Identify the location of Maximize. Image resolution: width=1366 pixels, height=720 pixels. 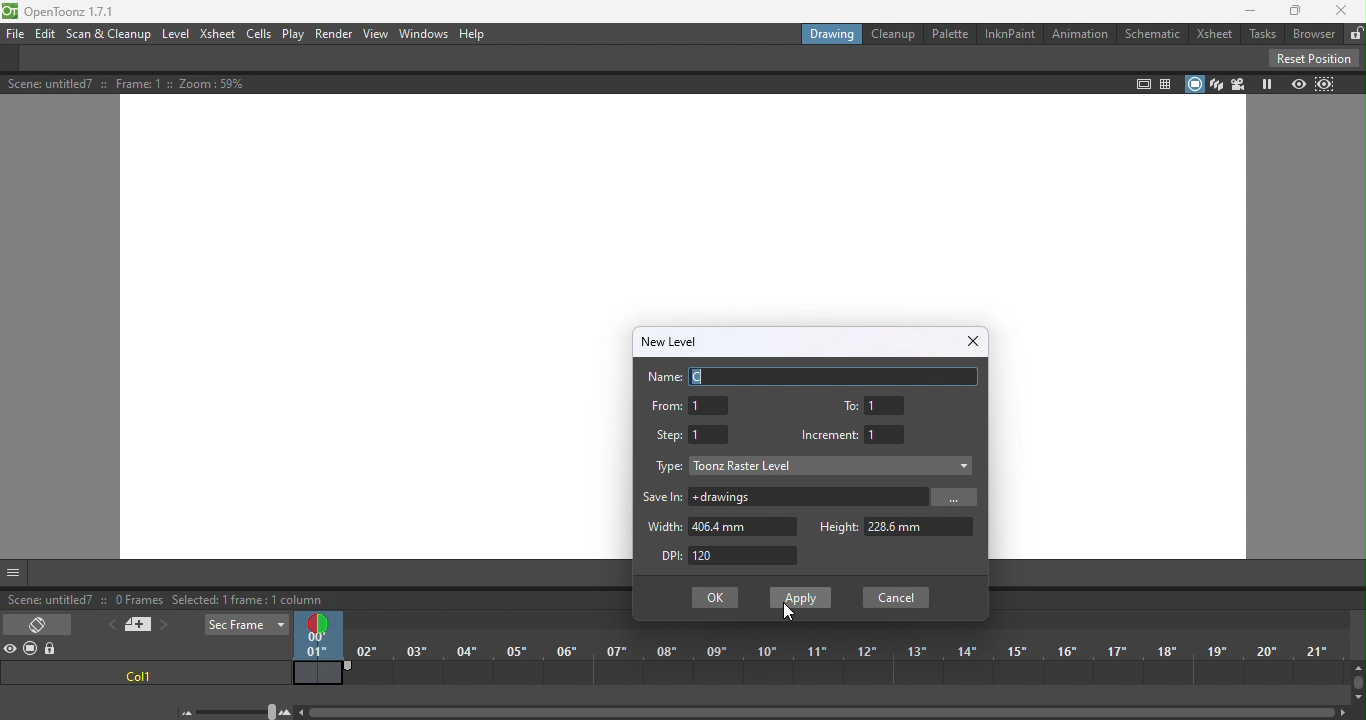
(1289, 11).